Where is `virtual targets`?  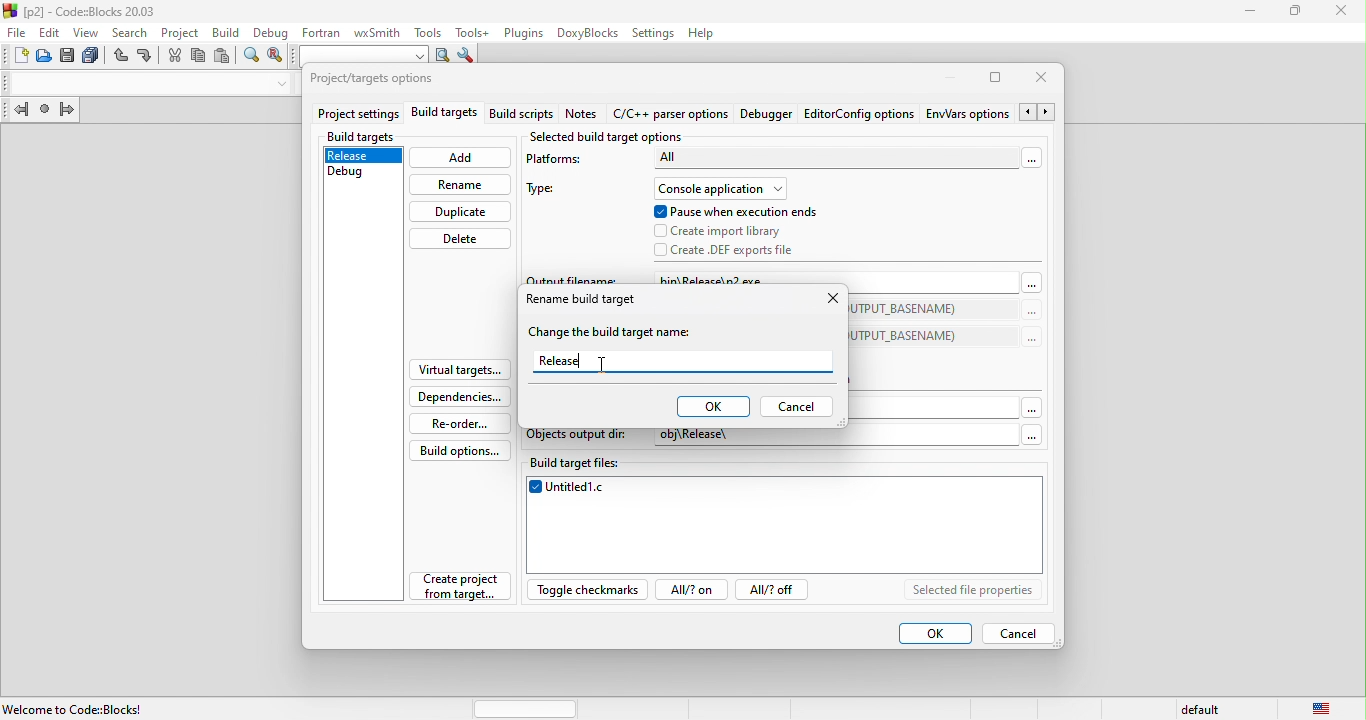
virtual targets is located at coordinates (458, 370).